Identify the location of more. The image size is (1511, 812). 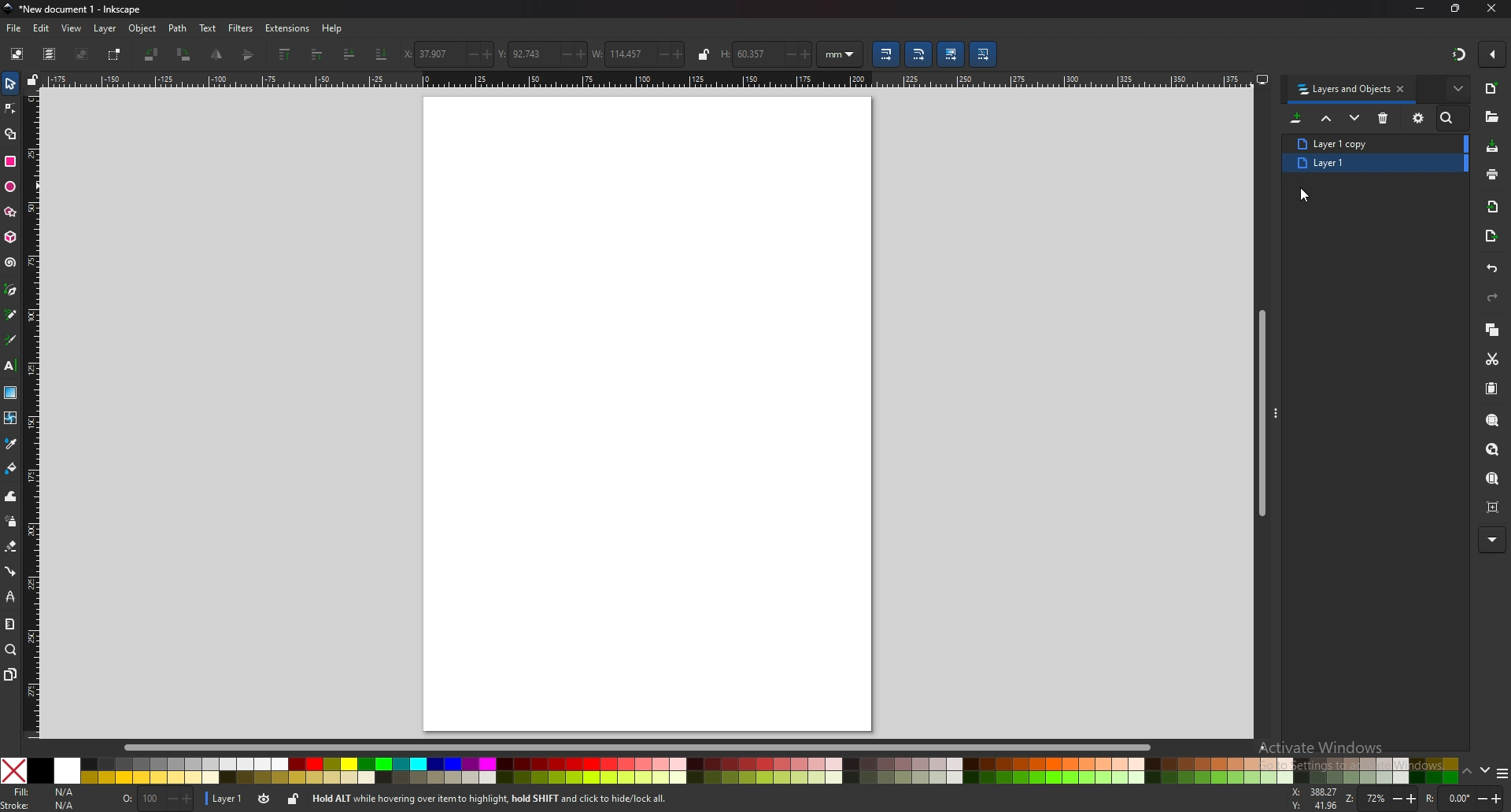
(1458, 88).